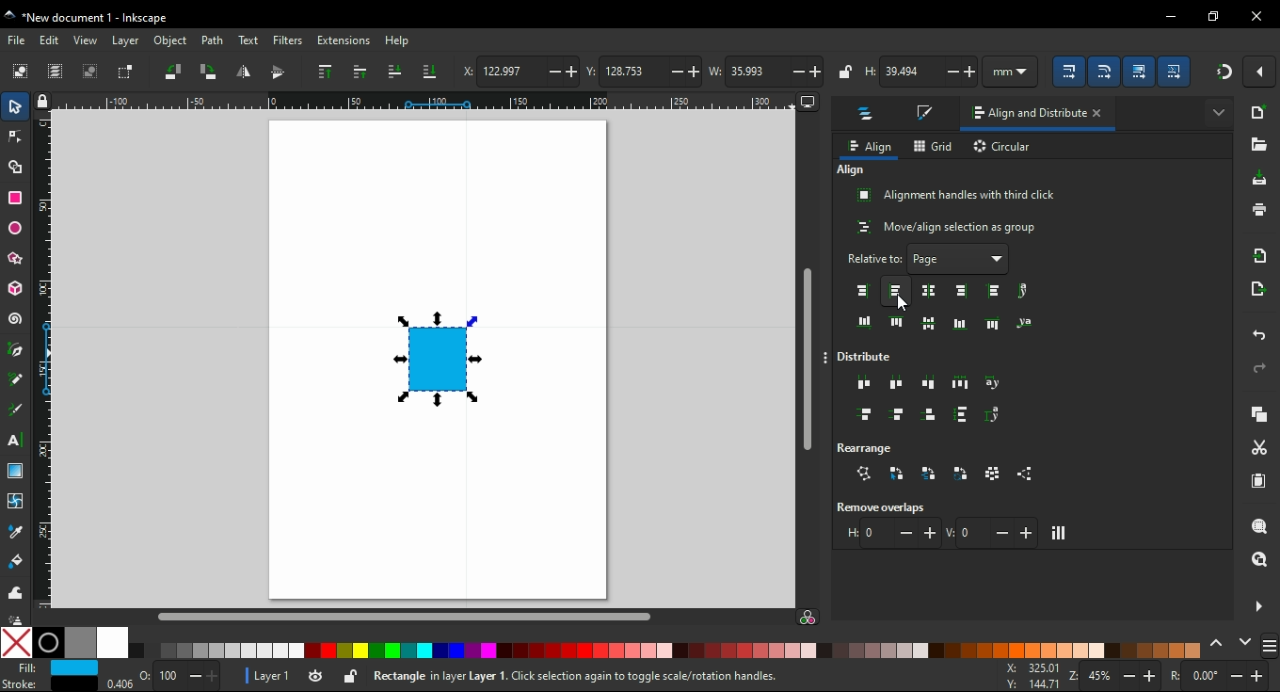 Image resolution: width=1280 pixels, height=692 pixels. What do you see at coordinates (639, 675) in the screenshot?
I see `Keyboard shortcuts` at bounding box center [639, 675].